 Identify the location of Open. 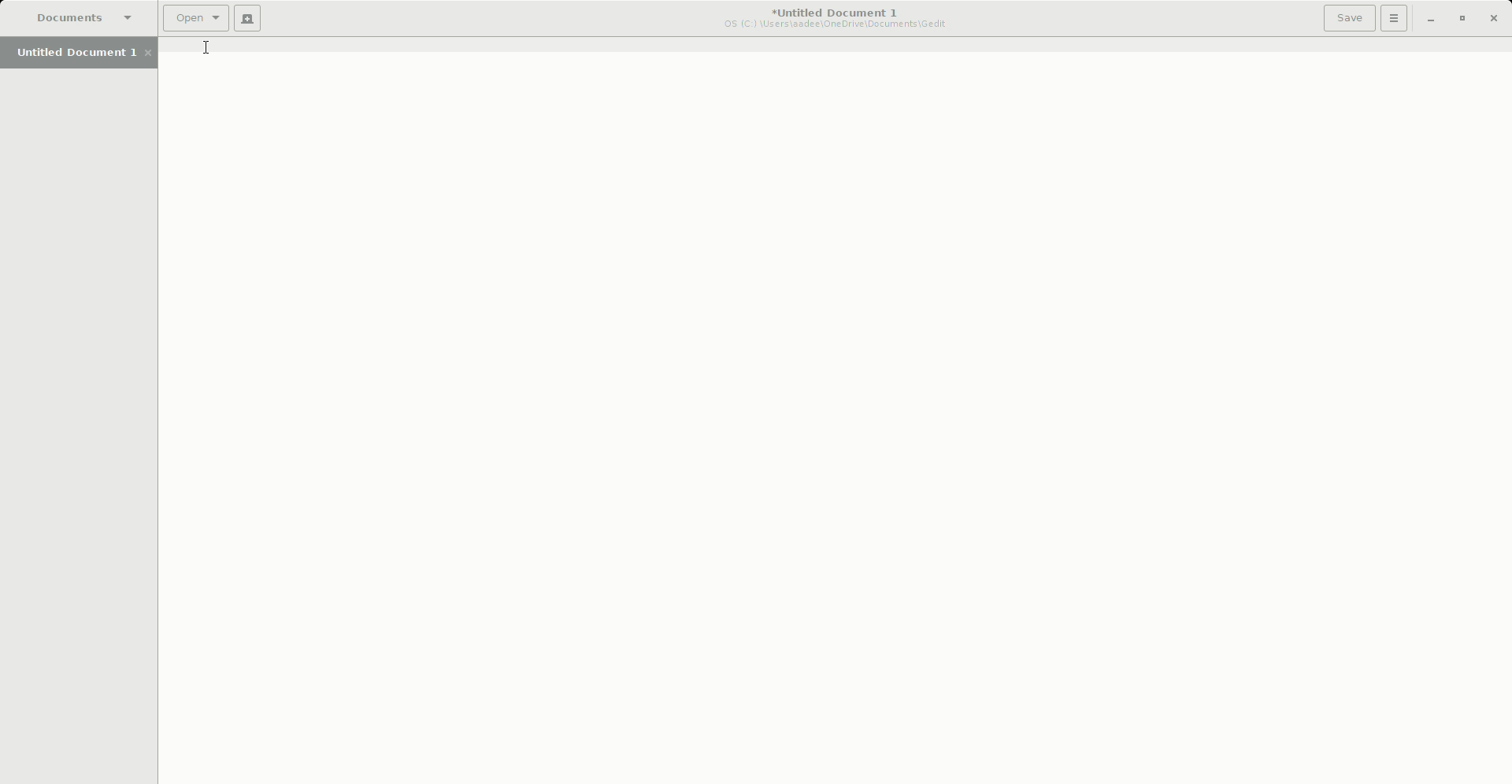
(192, 19).